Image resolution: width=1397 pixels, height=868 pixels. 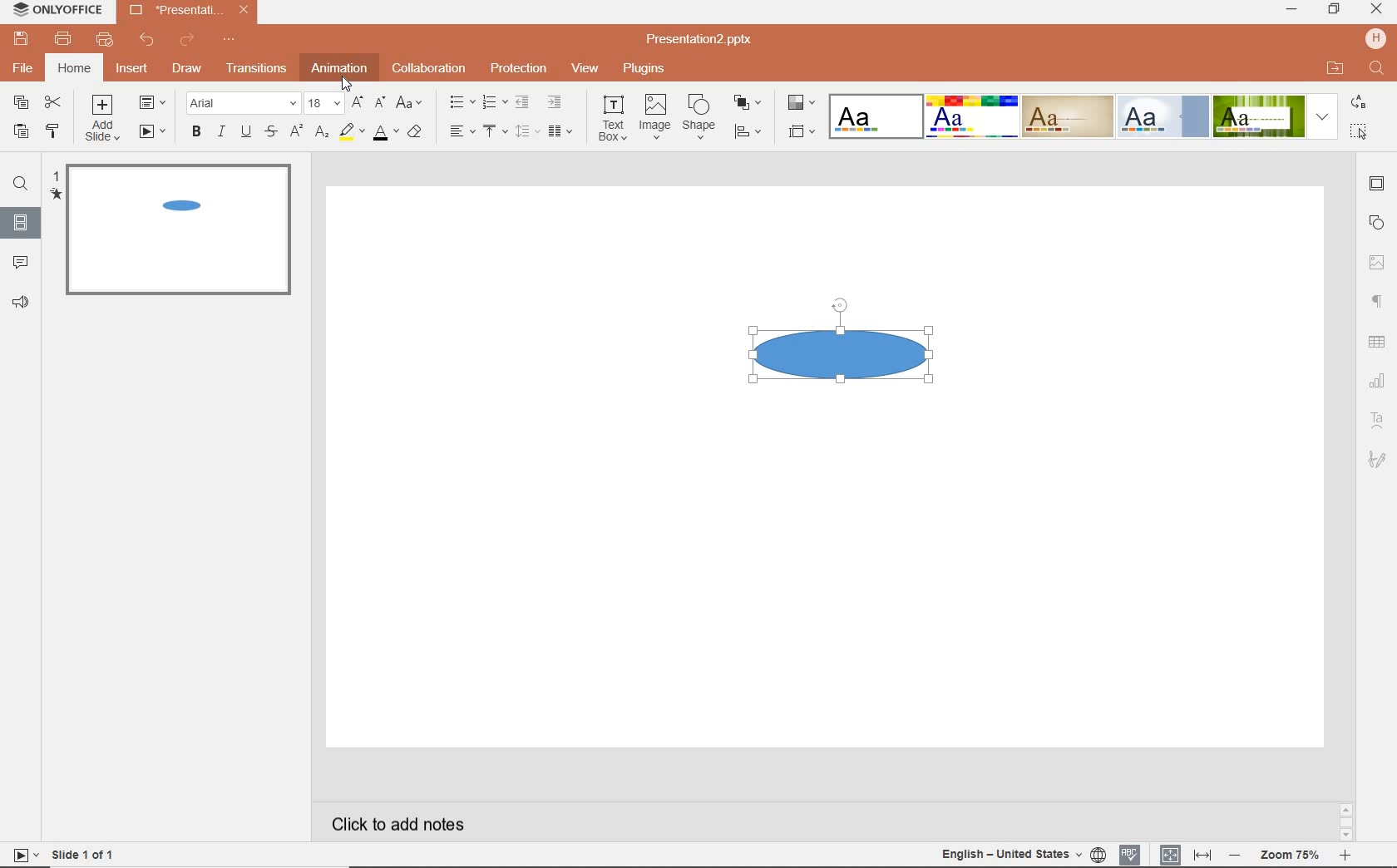 I want to click on RESTORE, so click(x=1334, y=11).